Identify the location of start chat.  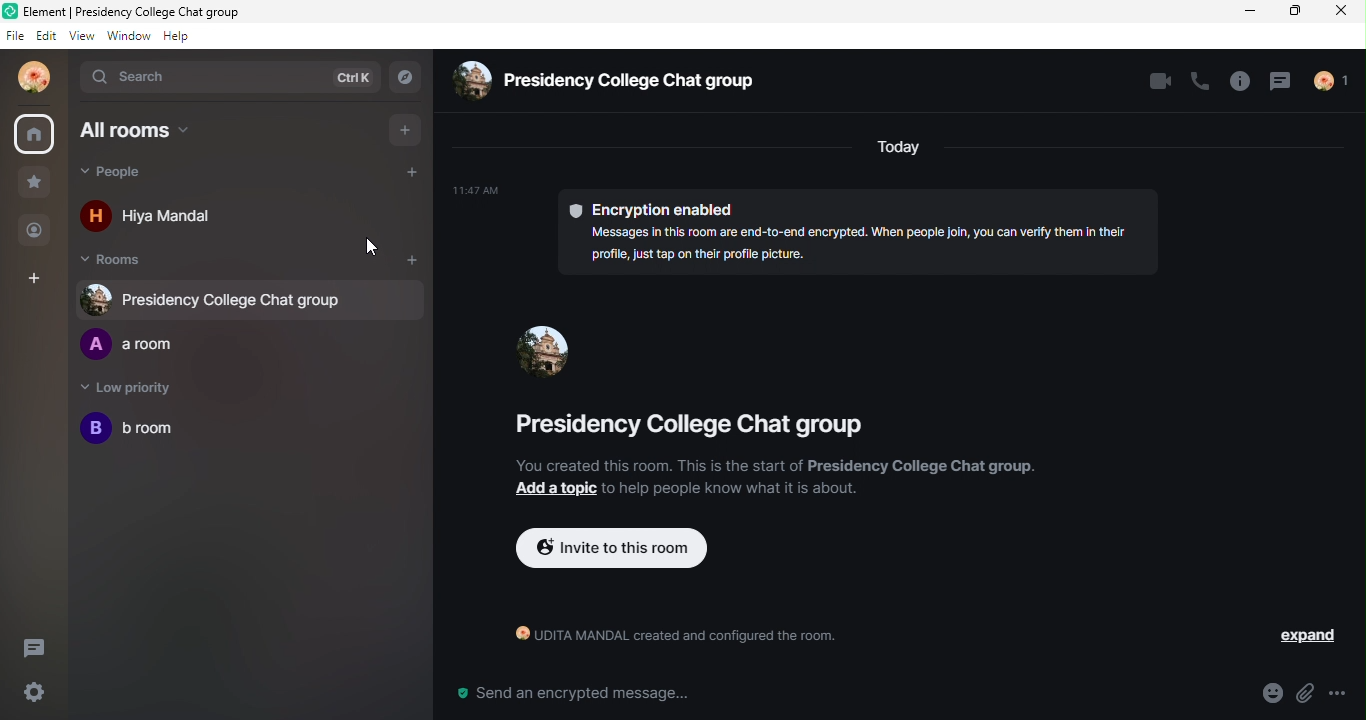
(415, 175).